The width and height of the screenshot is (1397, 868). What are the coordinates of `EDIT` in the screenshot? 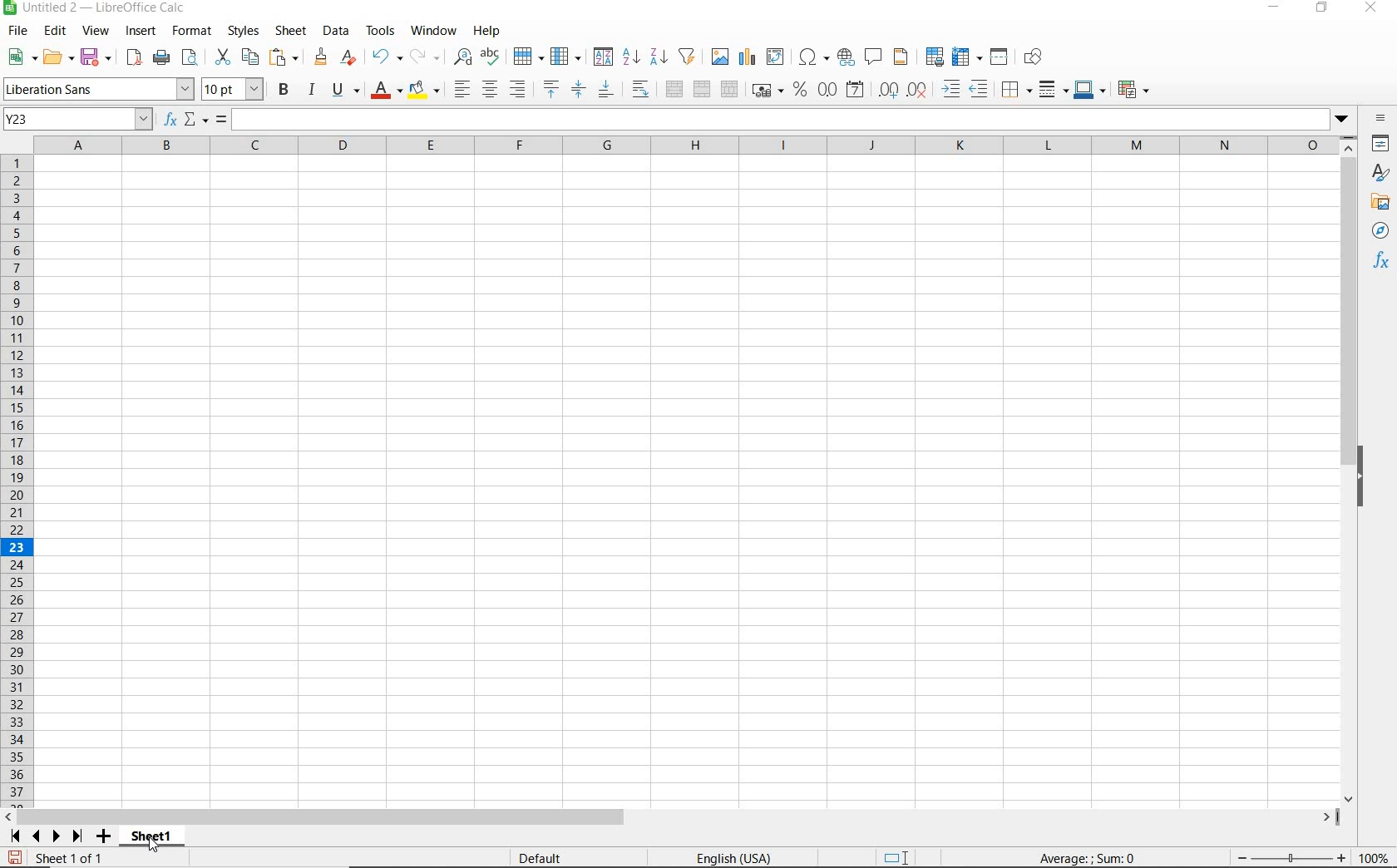 It's located at (55, 31).